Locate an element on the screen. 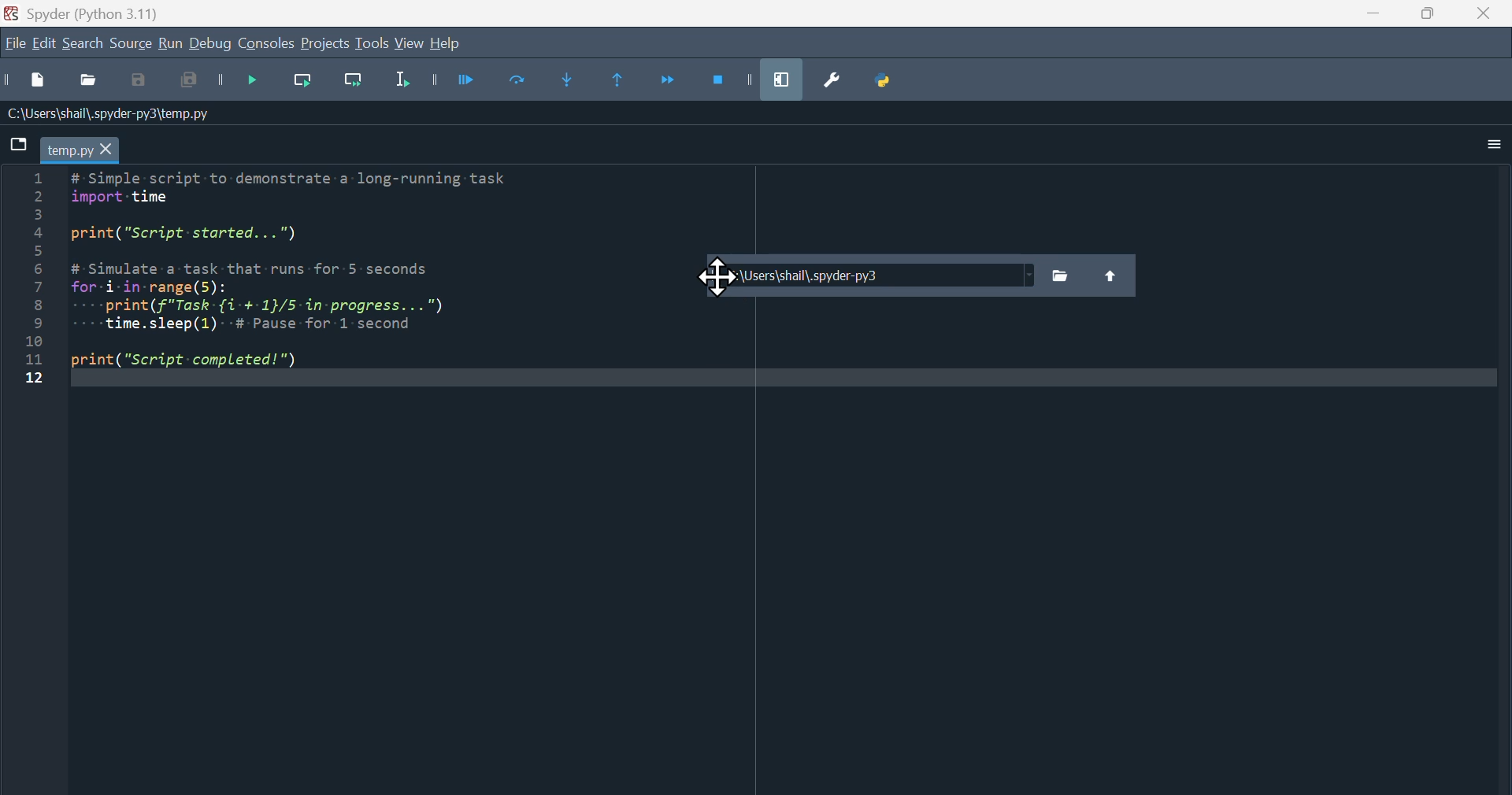  Upload file is located at coordinates (1111, 273).